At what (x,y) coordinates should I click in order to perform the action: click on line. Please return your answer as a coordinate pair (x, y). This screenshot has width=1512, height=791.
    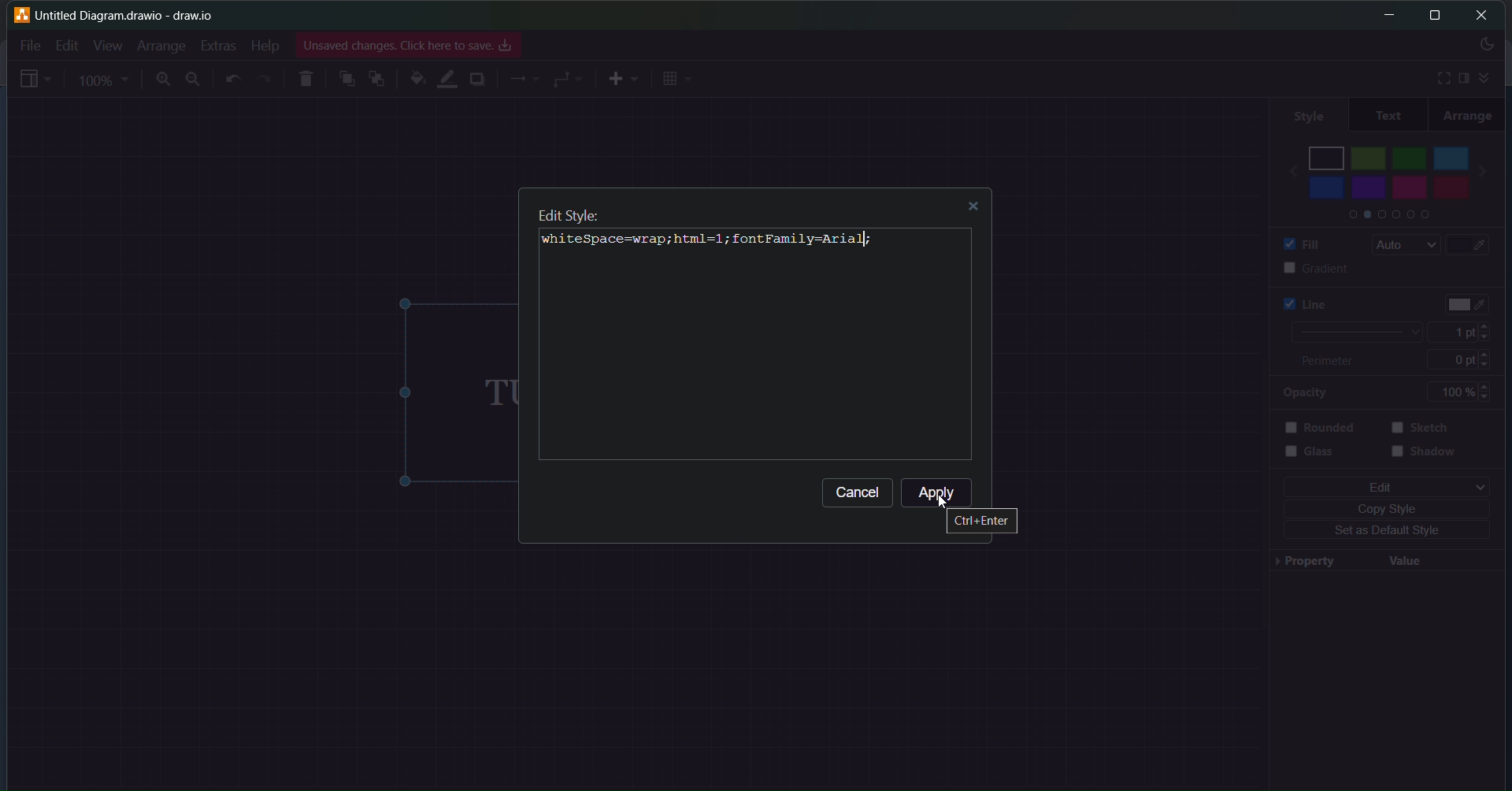
    Looking at the image, I should click on (1296, 303).